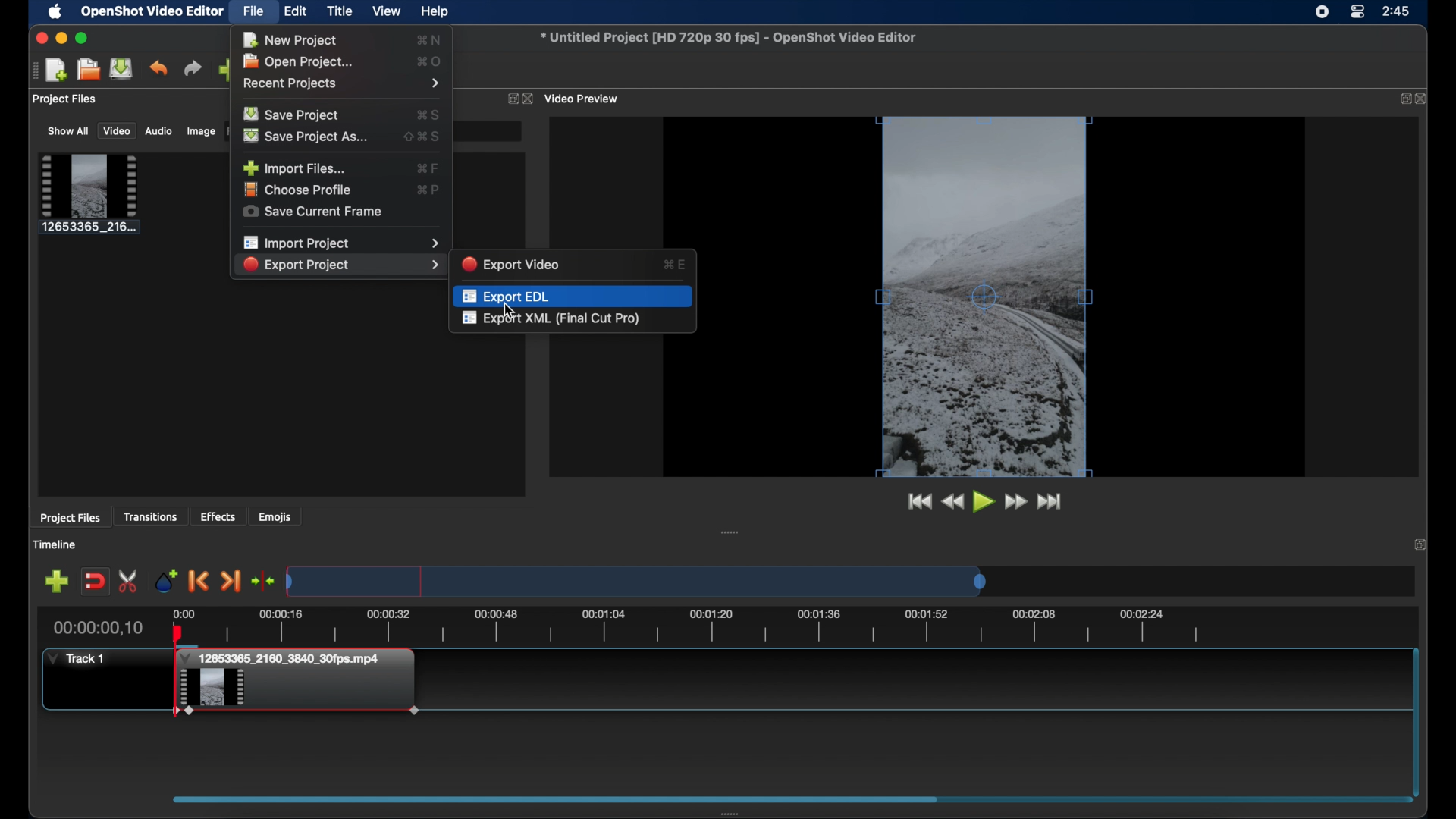 The image size is (1456, 819). What do you see at coordinates (152, 516) in the screenshot?
I see `transitions` at bounding box center [152, 516].